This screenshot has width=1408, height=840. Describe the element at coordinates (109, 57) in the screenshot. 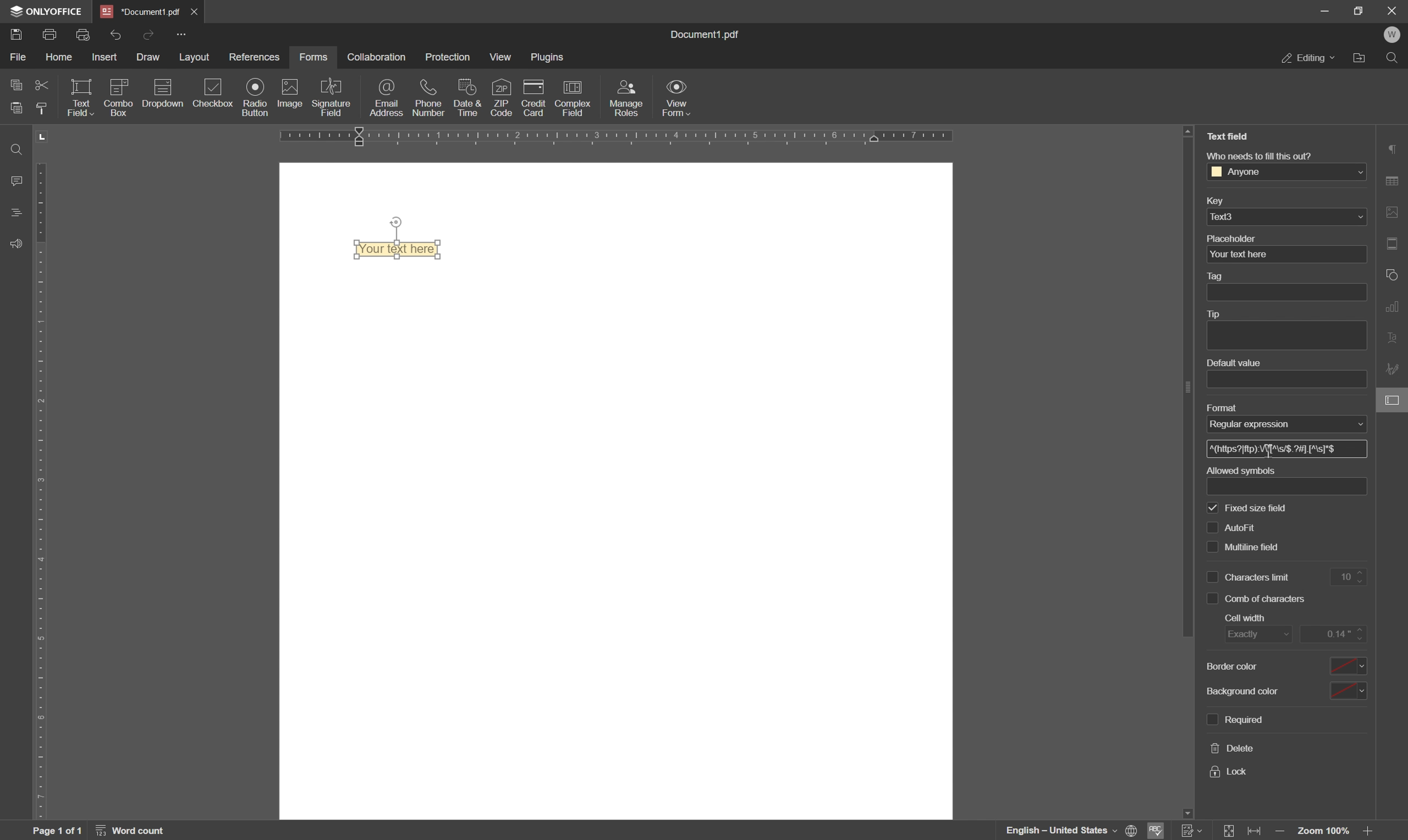

I see `insert` at that location.